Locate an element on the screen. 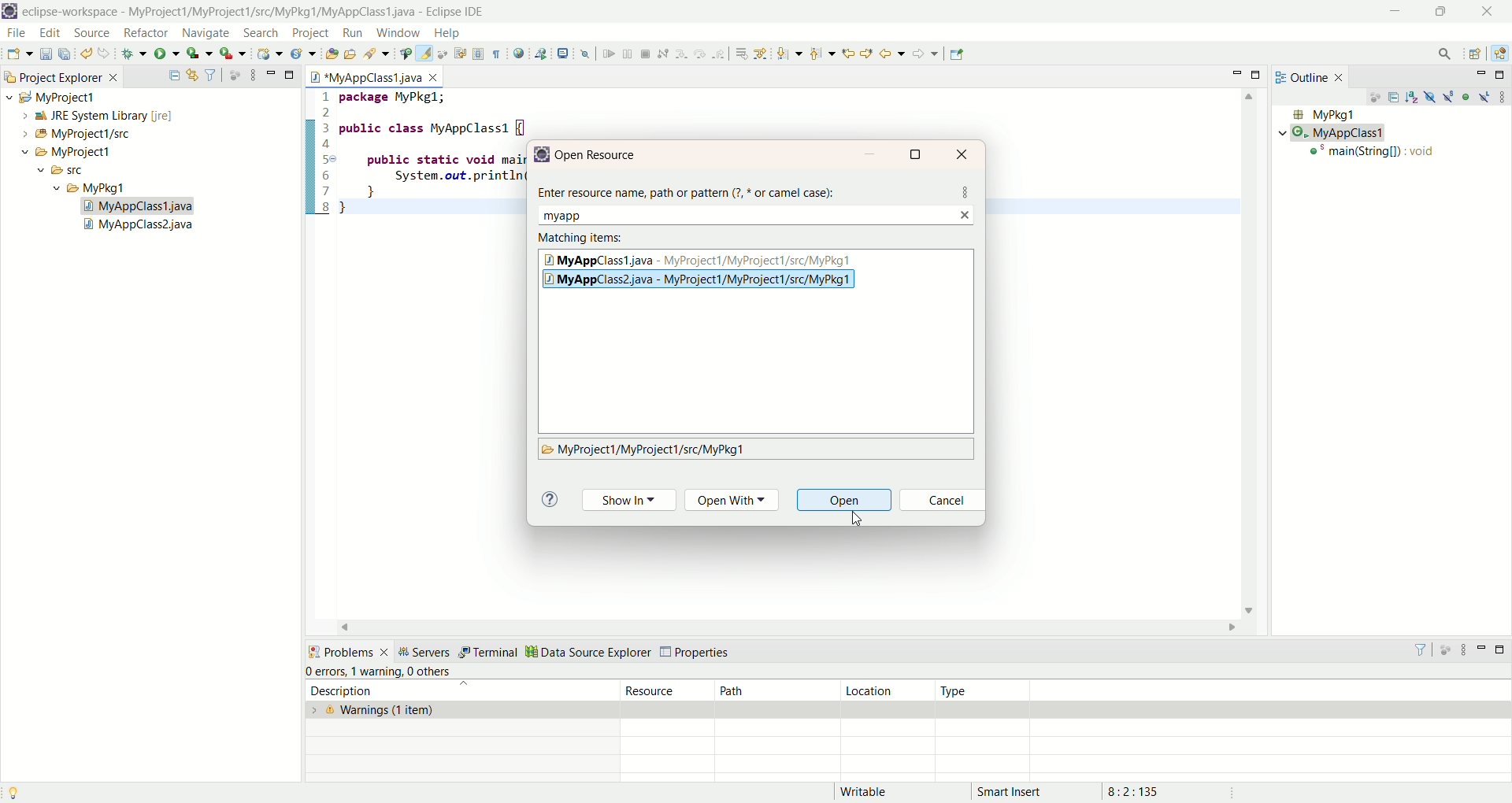  open a terminal is located at coordinates (563, 54).